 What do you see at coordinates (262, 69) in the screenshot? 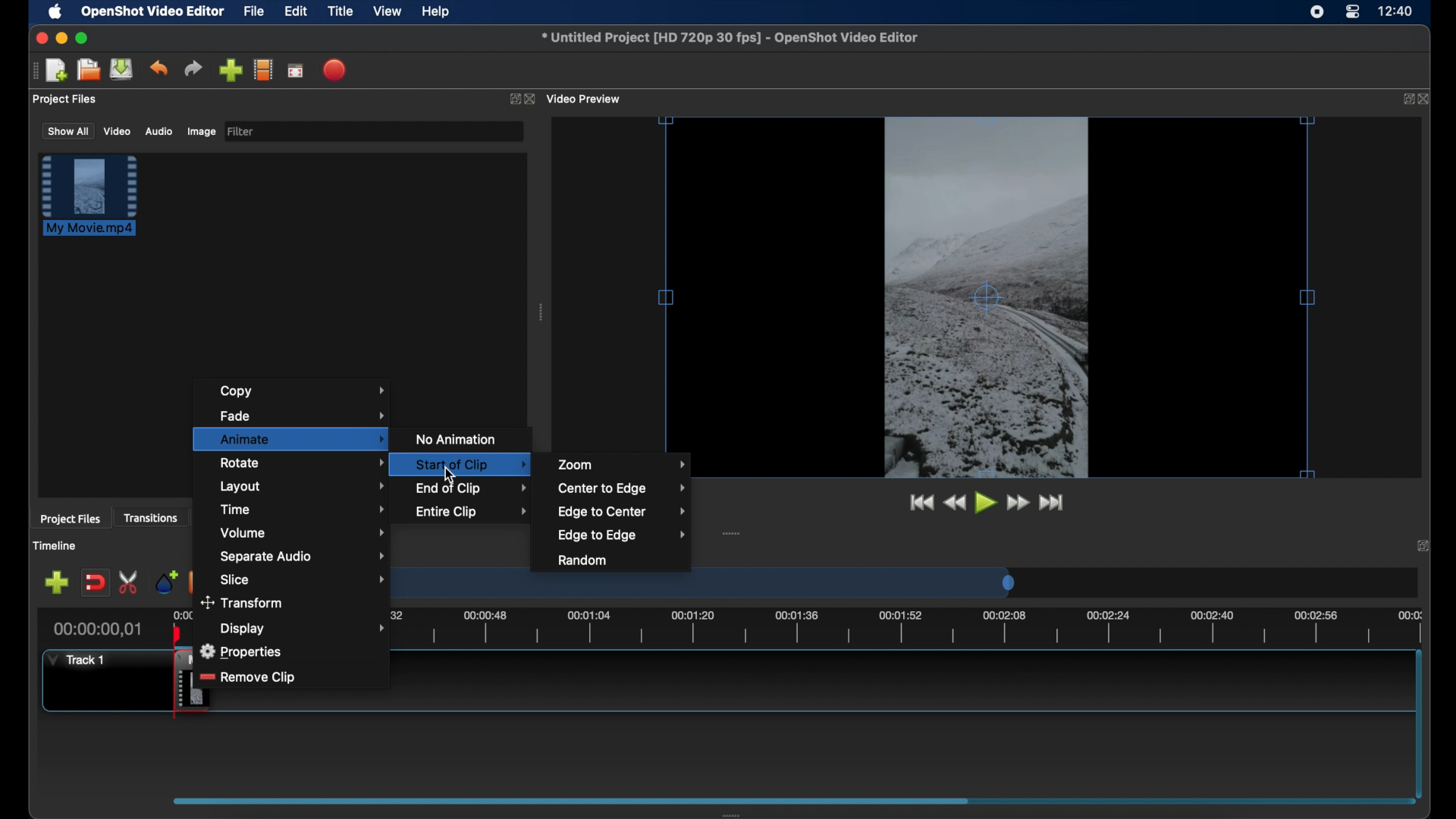
I see `explore profiles` at bounding box center [262, 69].